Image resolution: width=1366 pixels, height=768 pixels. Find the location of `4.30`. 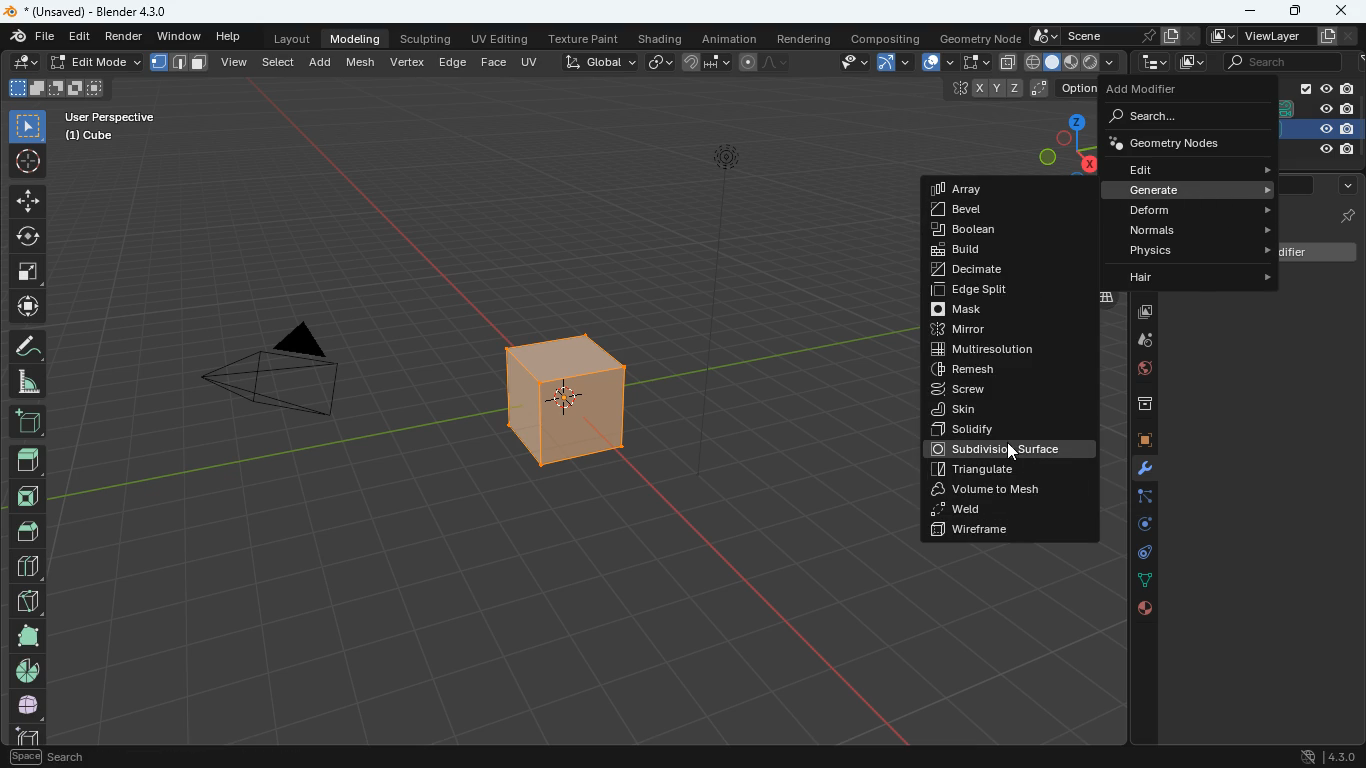

4.30 is located at coordinates (1324, 755).